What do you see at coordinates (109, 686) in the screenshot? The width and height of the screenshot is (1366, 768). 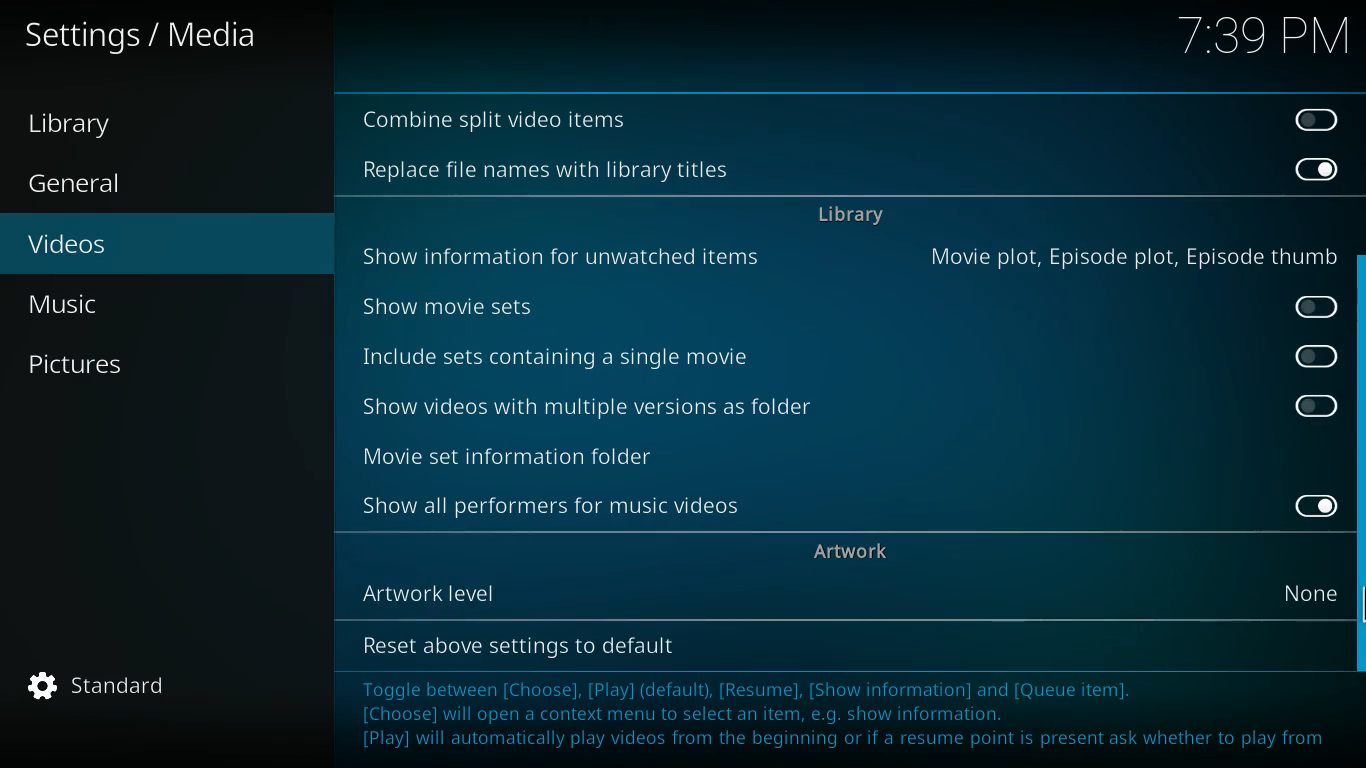 I see `standard` at bounding box center [109, 686].